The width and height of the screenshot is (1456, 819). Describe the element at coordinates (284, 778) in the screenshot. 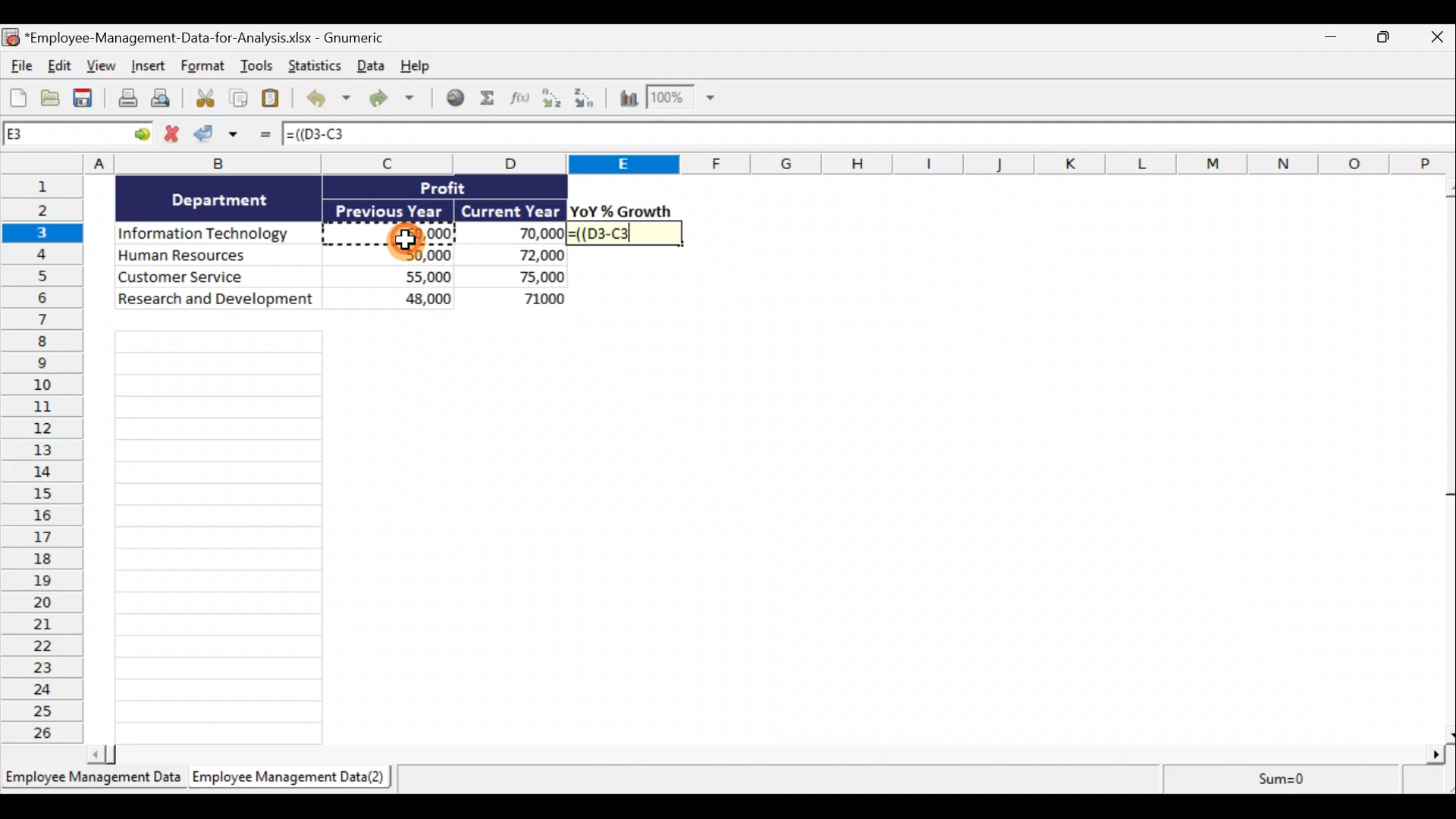

I see `Sheet 2` at that location.